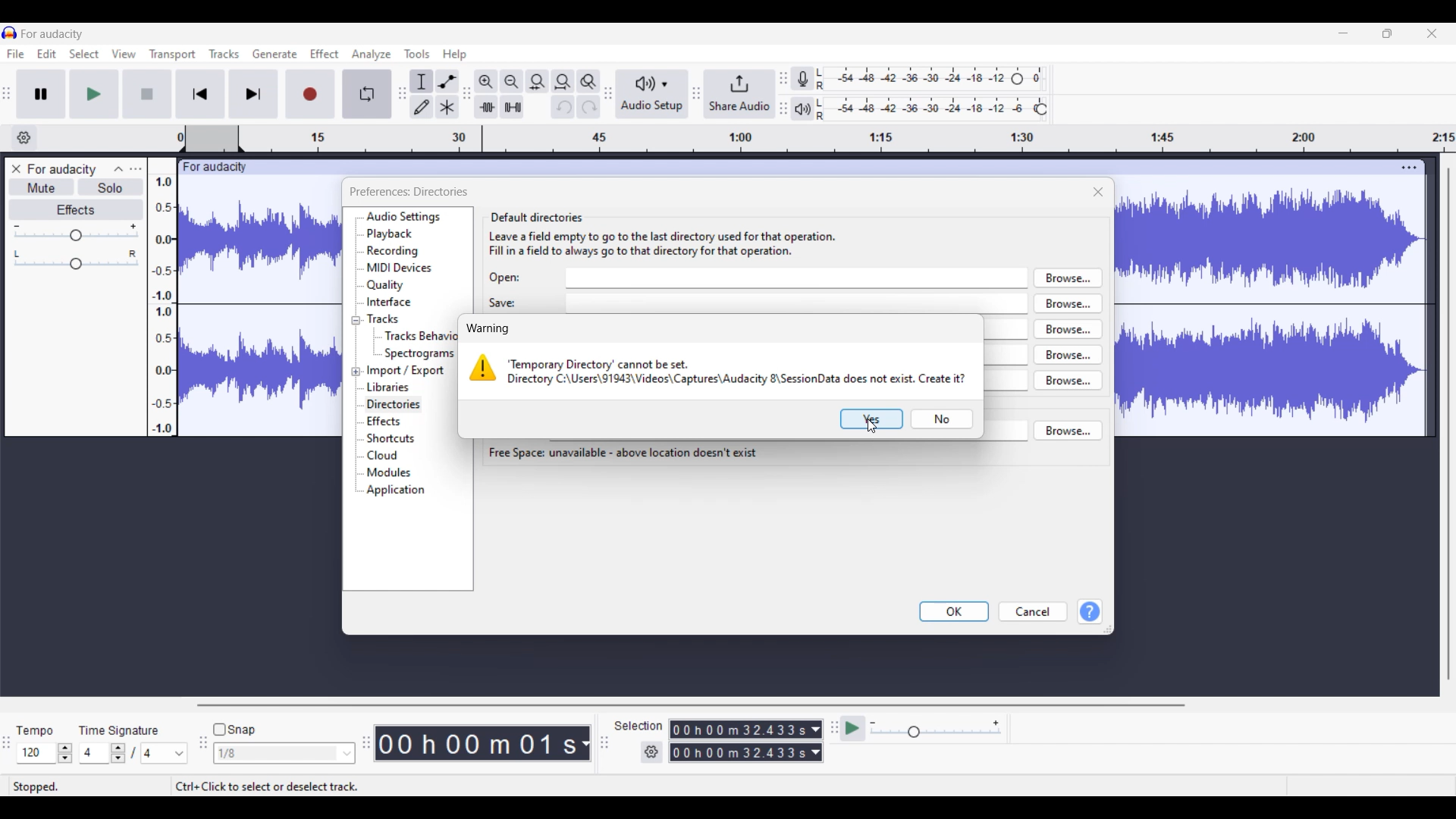 The height and width of the screenshot is (819, 1456). Describe the element at coordinates (816, 742) in the screenshot. I see `Duration measurement` at that location.